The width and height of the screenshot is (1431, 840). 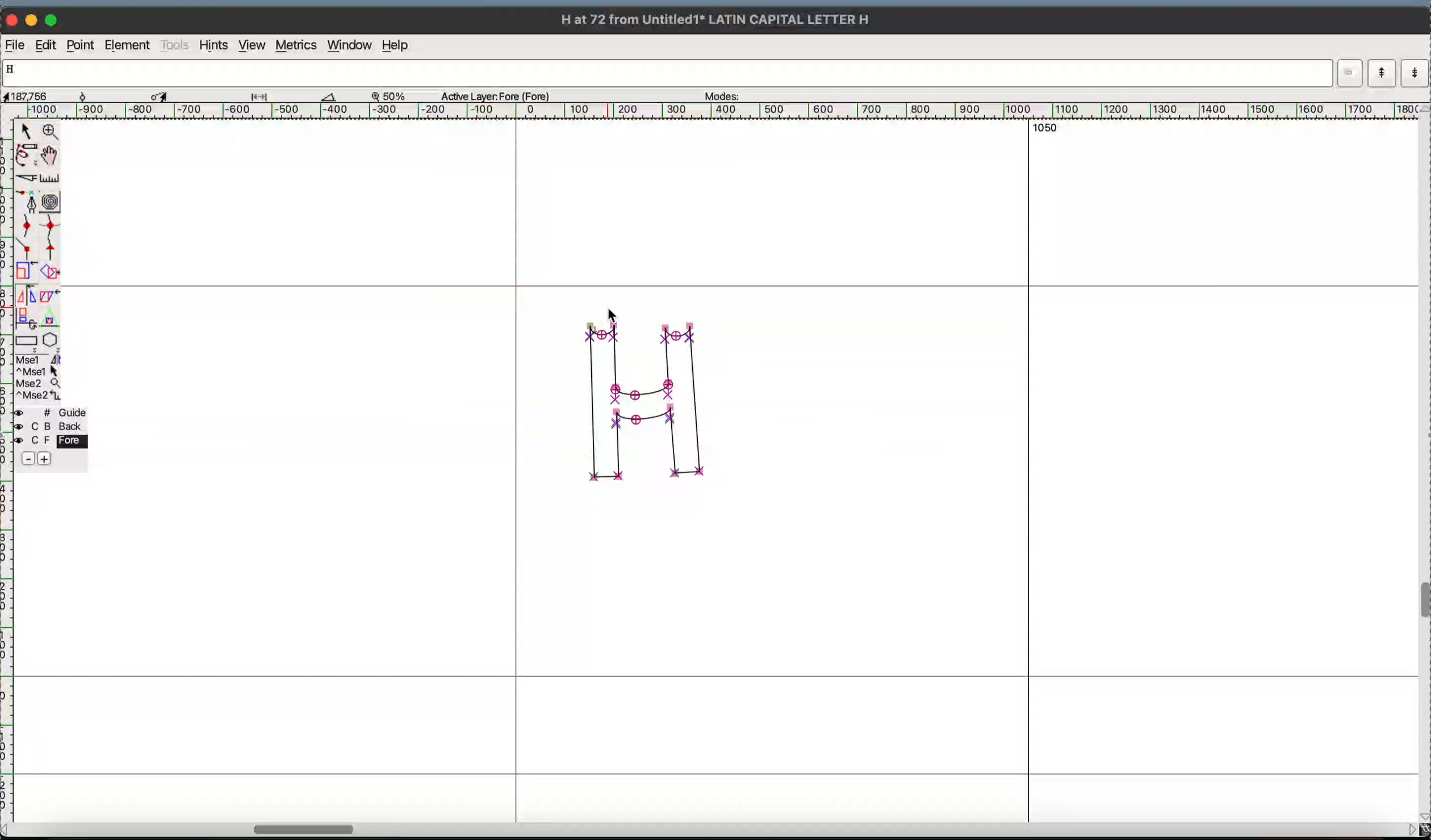 What do you see at coordinates (28, 200) in the screenshot?
I see `pen` at bounding box center [28, 200].